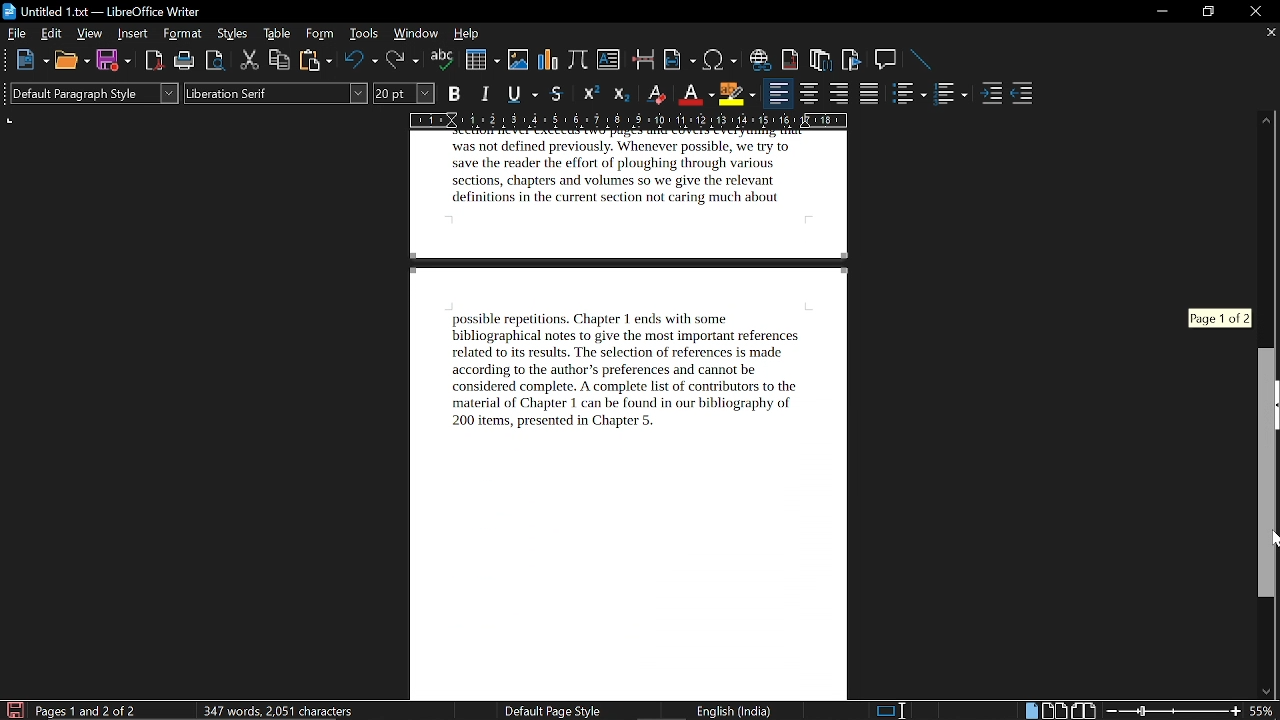  Describe the element at coordinates (183, 34) in the screenshot. I see `format` at that location.